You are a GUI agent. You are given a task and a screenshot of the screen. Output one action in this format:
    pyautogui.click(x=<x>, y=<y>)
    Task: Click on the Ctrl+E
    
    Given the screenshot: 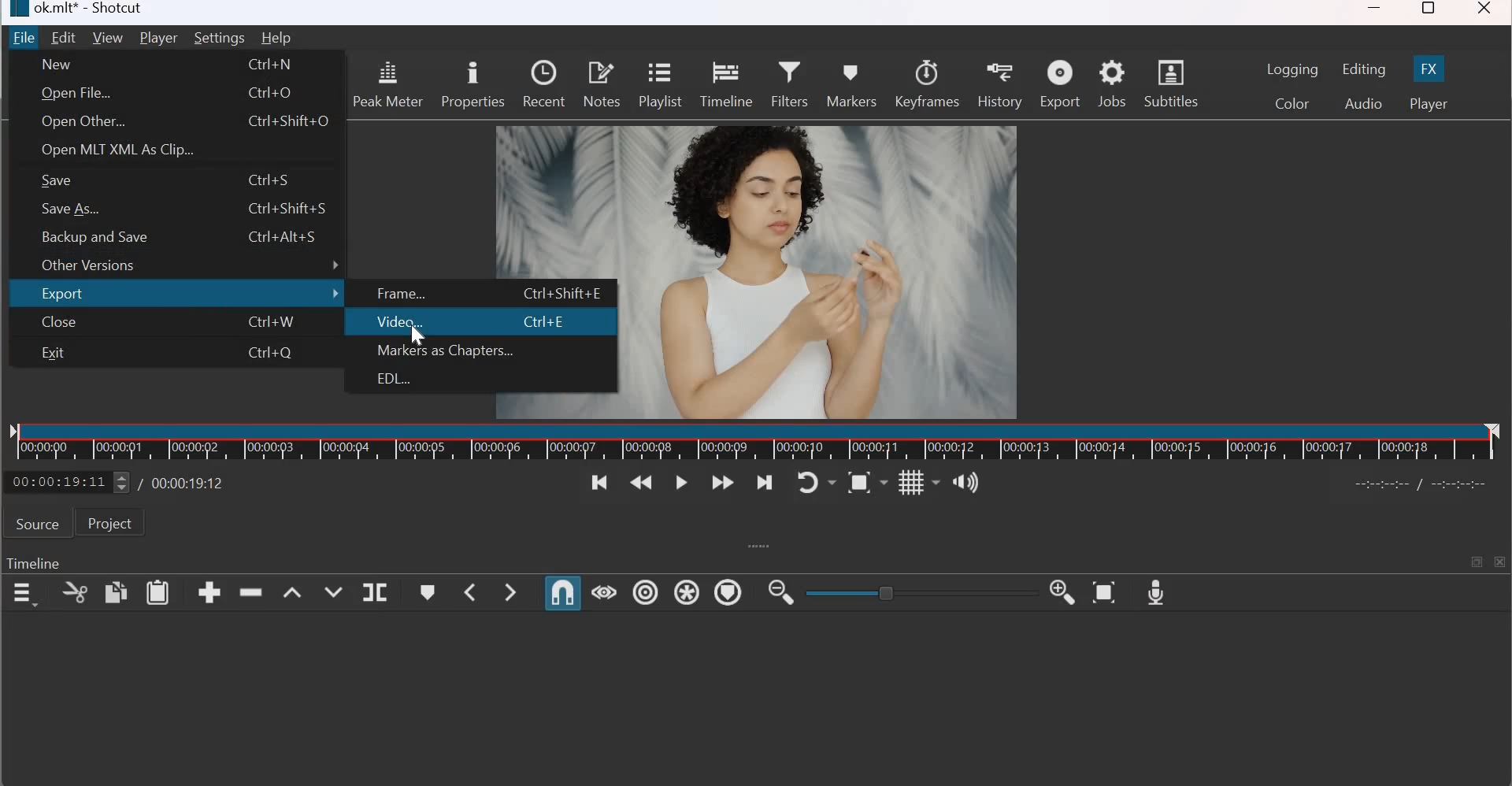 What is the action you would take?
    pyautogui.click(x=550, y=324)
    